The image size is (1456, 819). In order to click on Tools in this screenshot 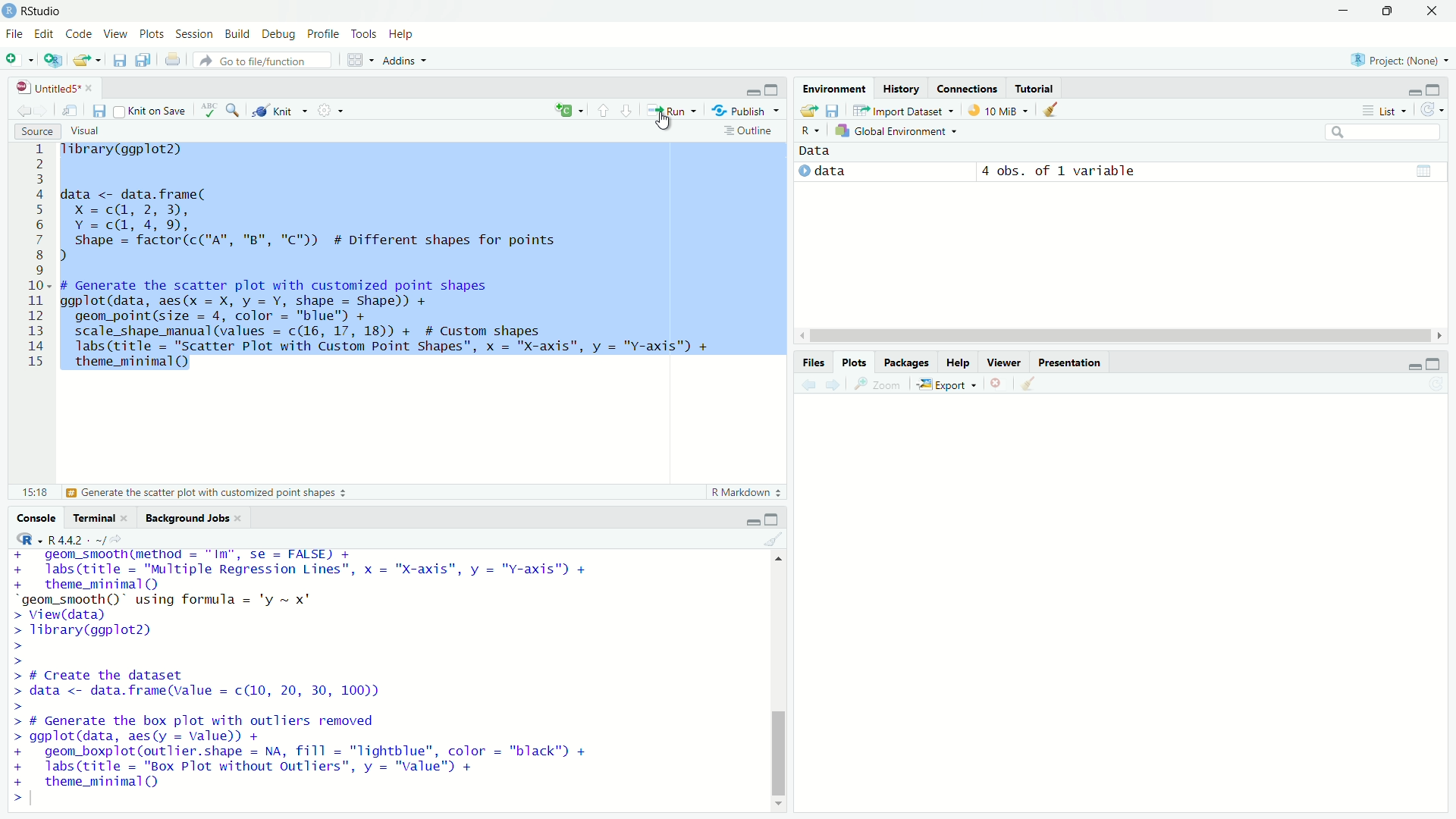, I will do `click(364, 33)`.